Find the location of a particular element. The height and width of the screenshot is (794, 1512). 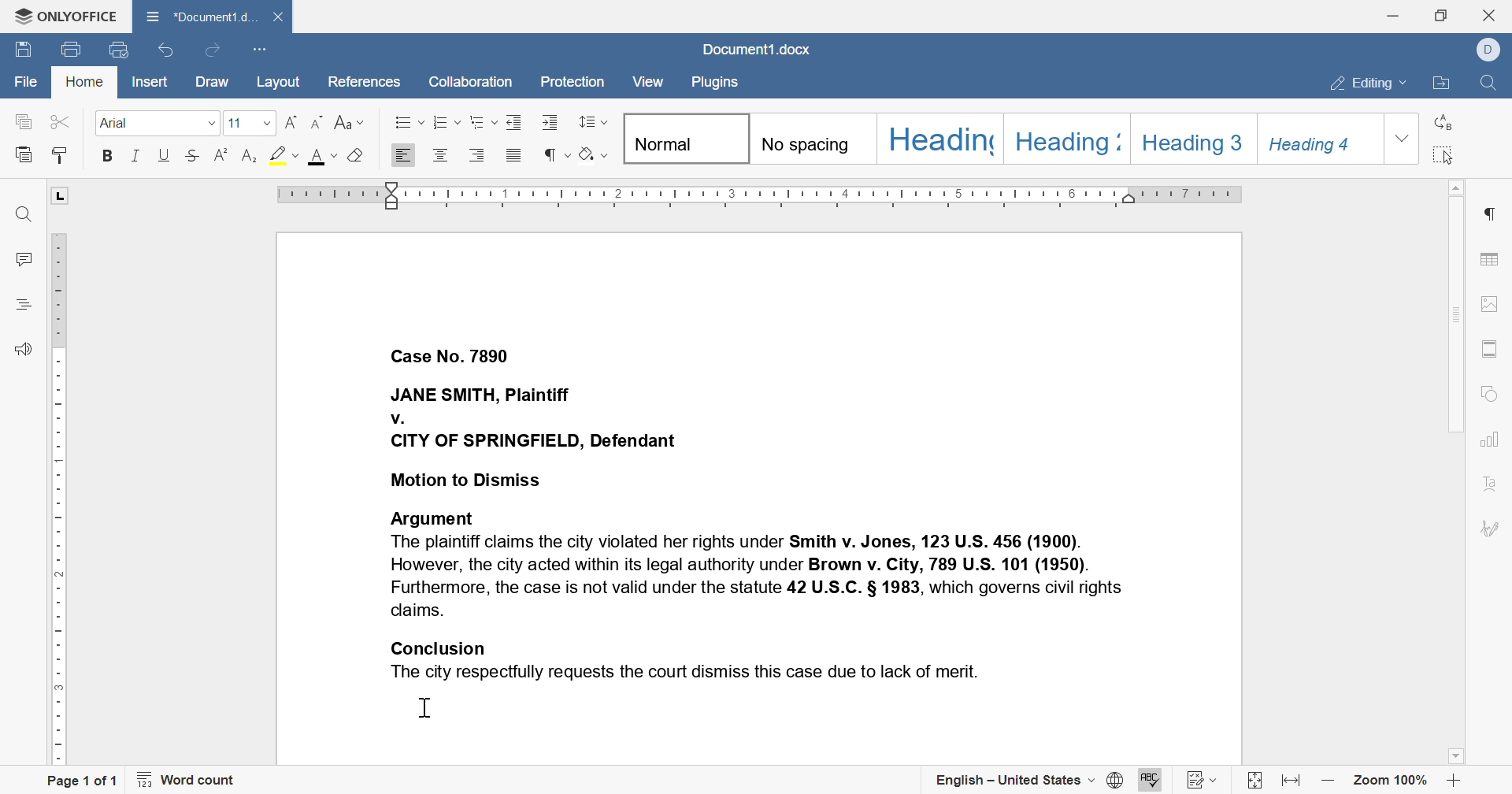

paragraph settings is located at coordinates (1489, 213).